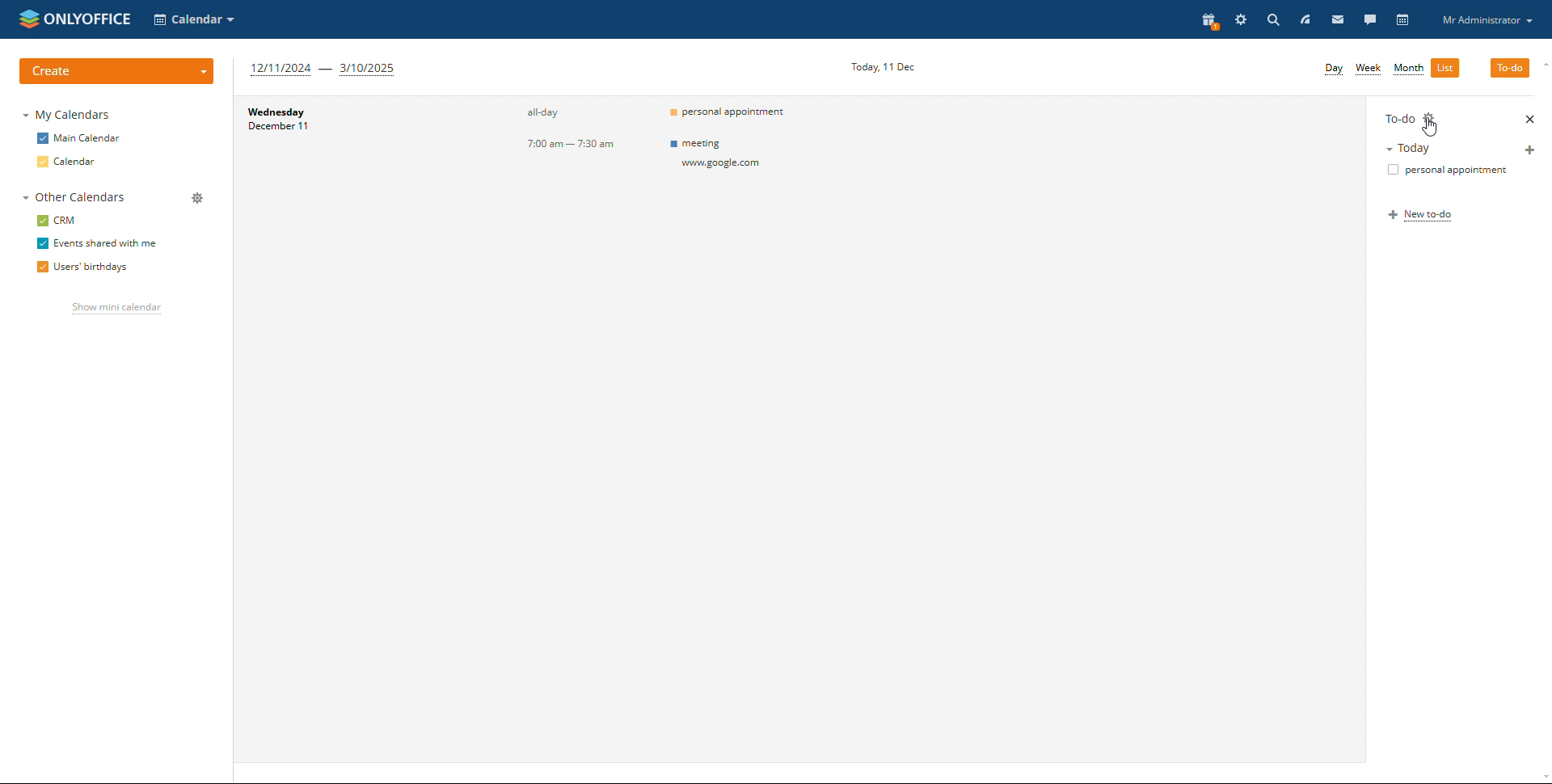 The height and width of the screenshot is (784, 1552). Describe the element at coordinates (1337, 21) in the screenshot. I see `mail` at that location.